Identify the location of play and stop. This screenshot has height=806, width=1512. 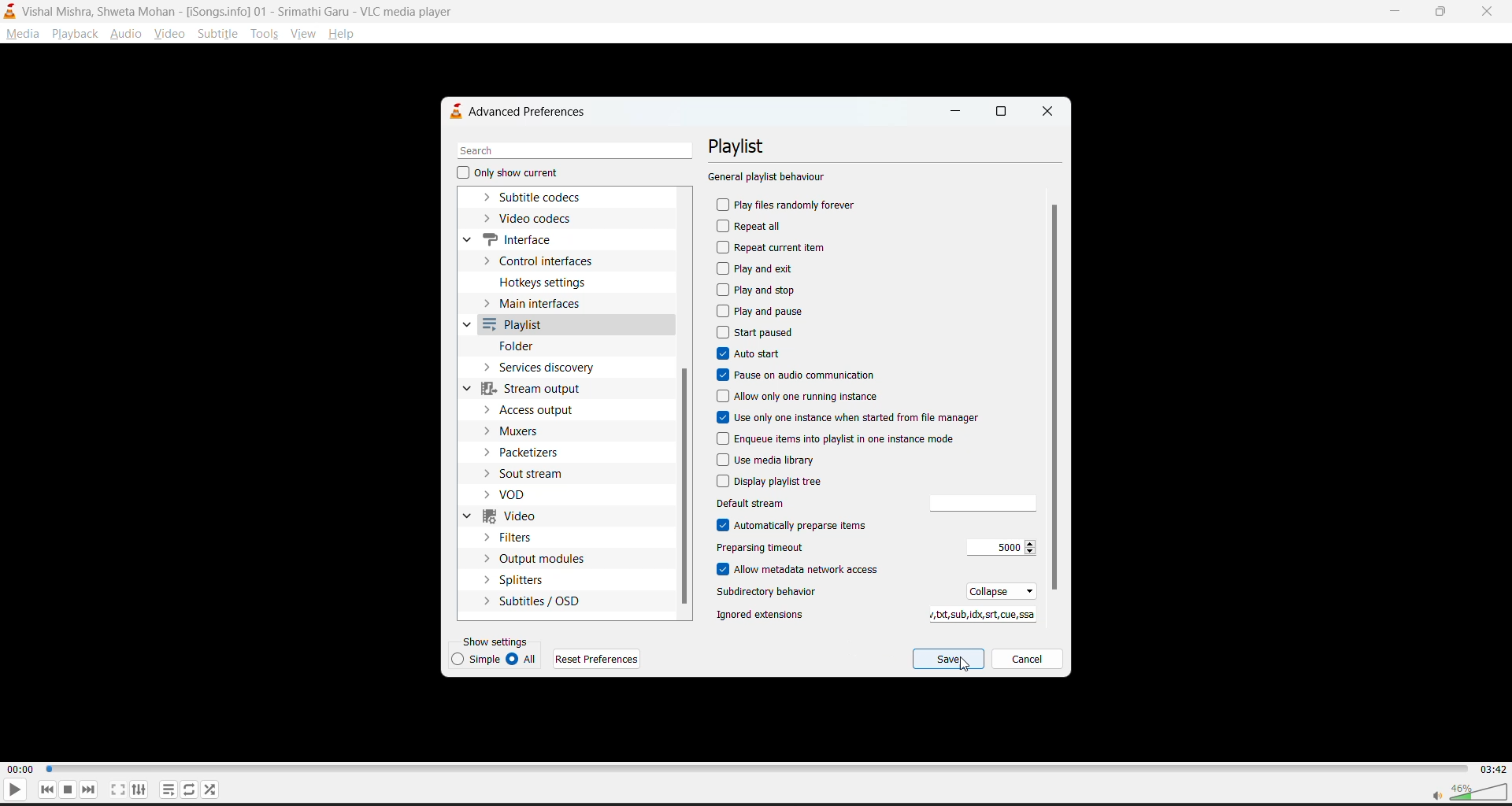
(756, 290).